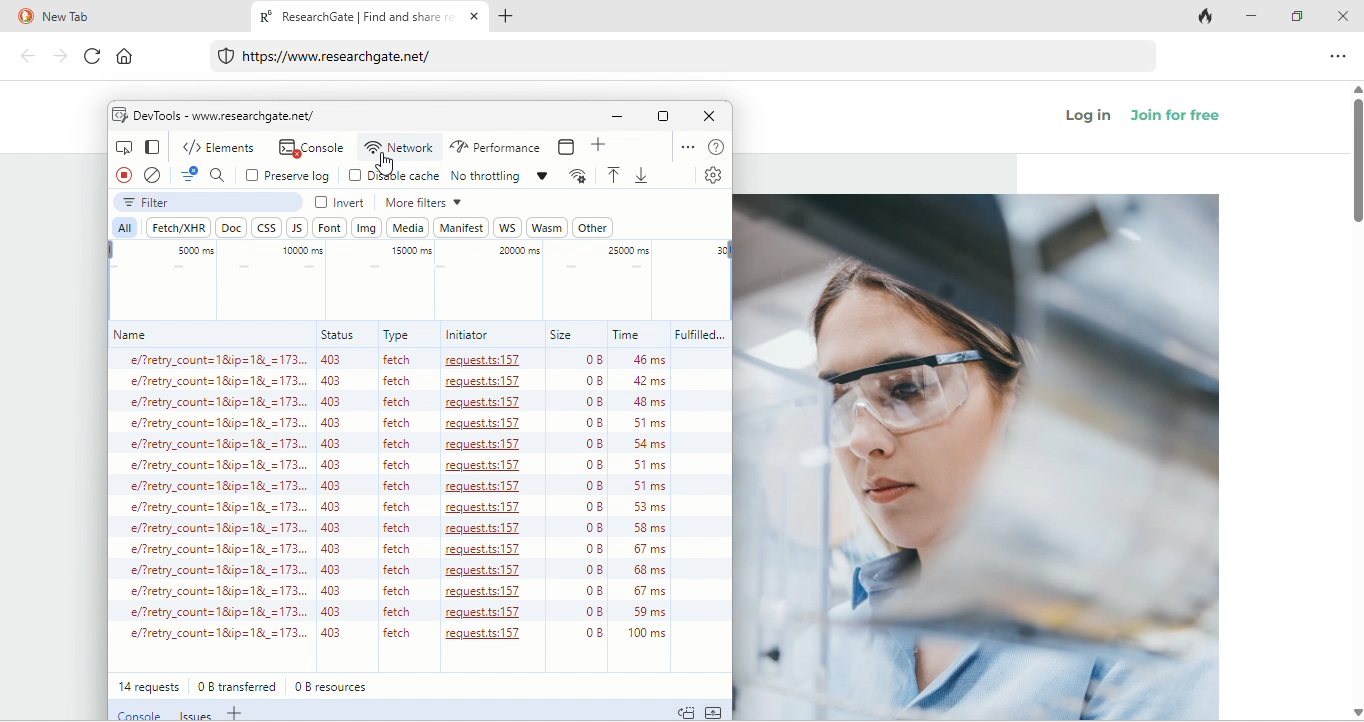 The width and height of the screenshot is (1364, 722). What do you see at coordinates (645, 175) in the screenshot?
I see `download` at bounding box center [645, 175].